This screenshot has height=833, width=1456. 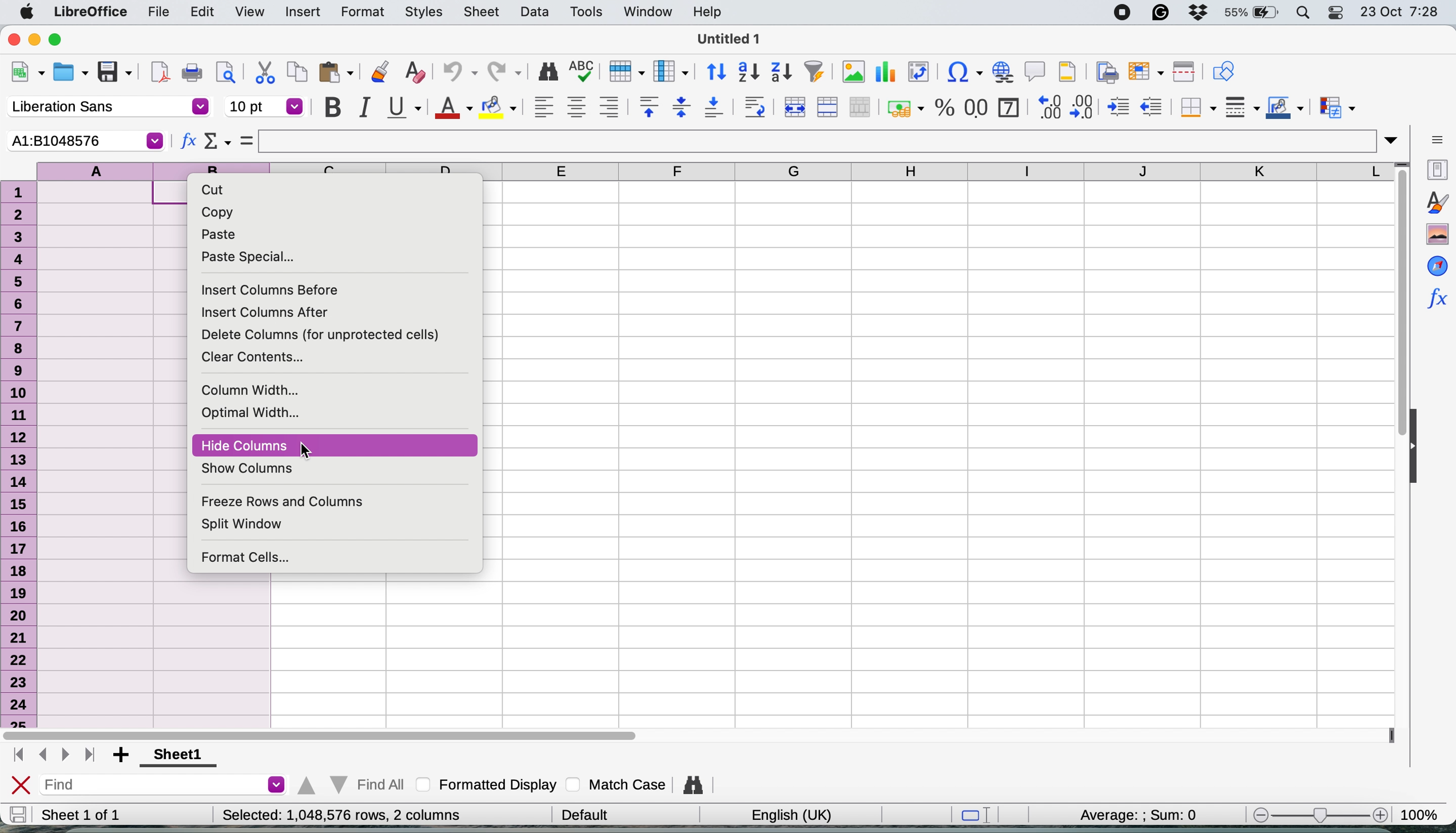 What do you see at coordinates (73, 72) in the screenshot?
I see `open` at bounding box center [73, 72].